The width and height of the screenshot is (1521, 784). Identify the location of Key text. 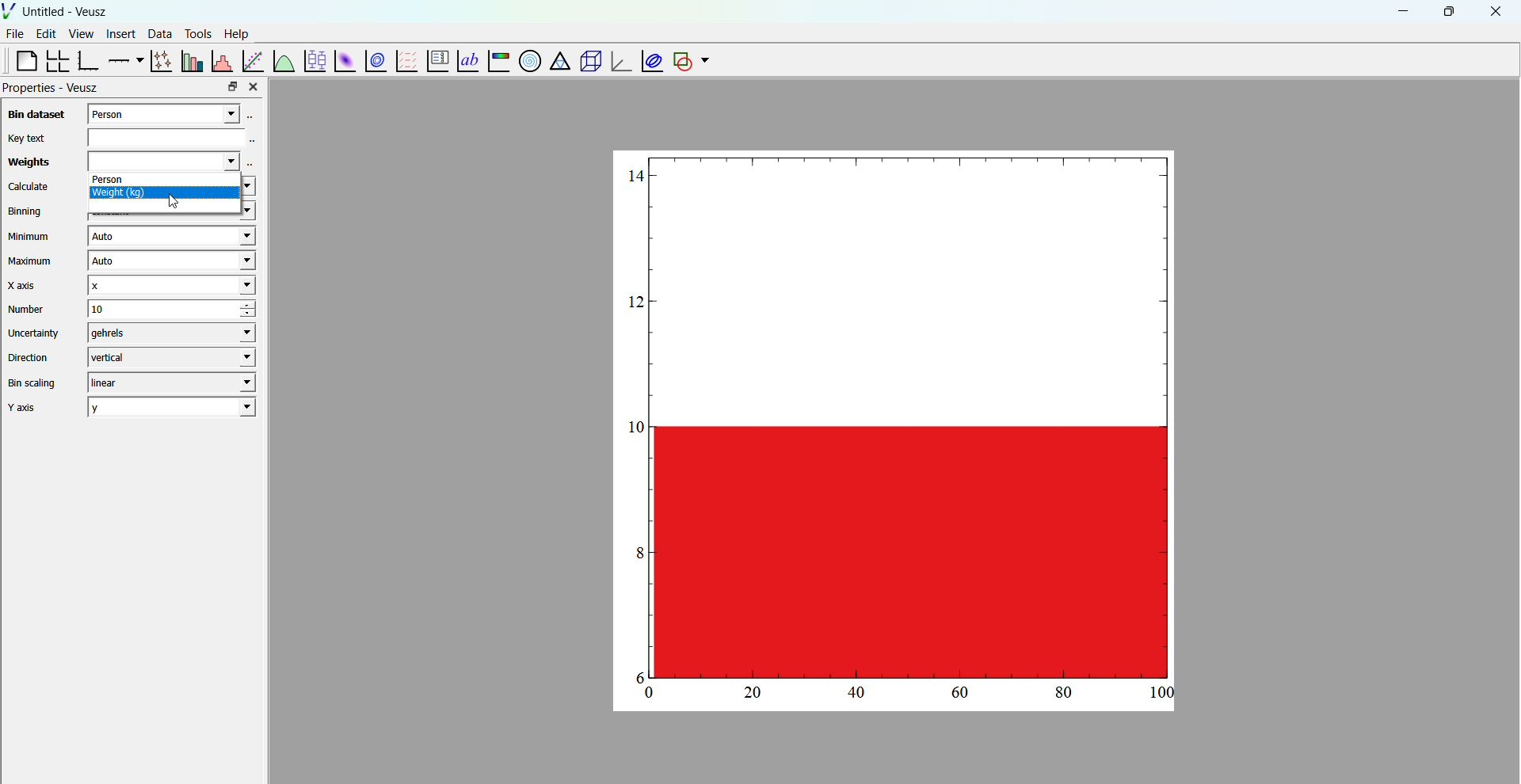
(25, 138).